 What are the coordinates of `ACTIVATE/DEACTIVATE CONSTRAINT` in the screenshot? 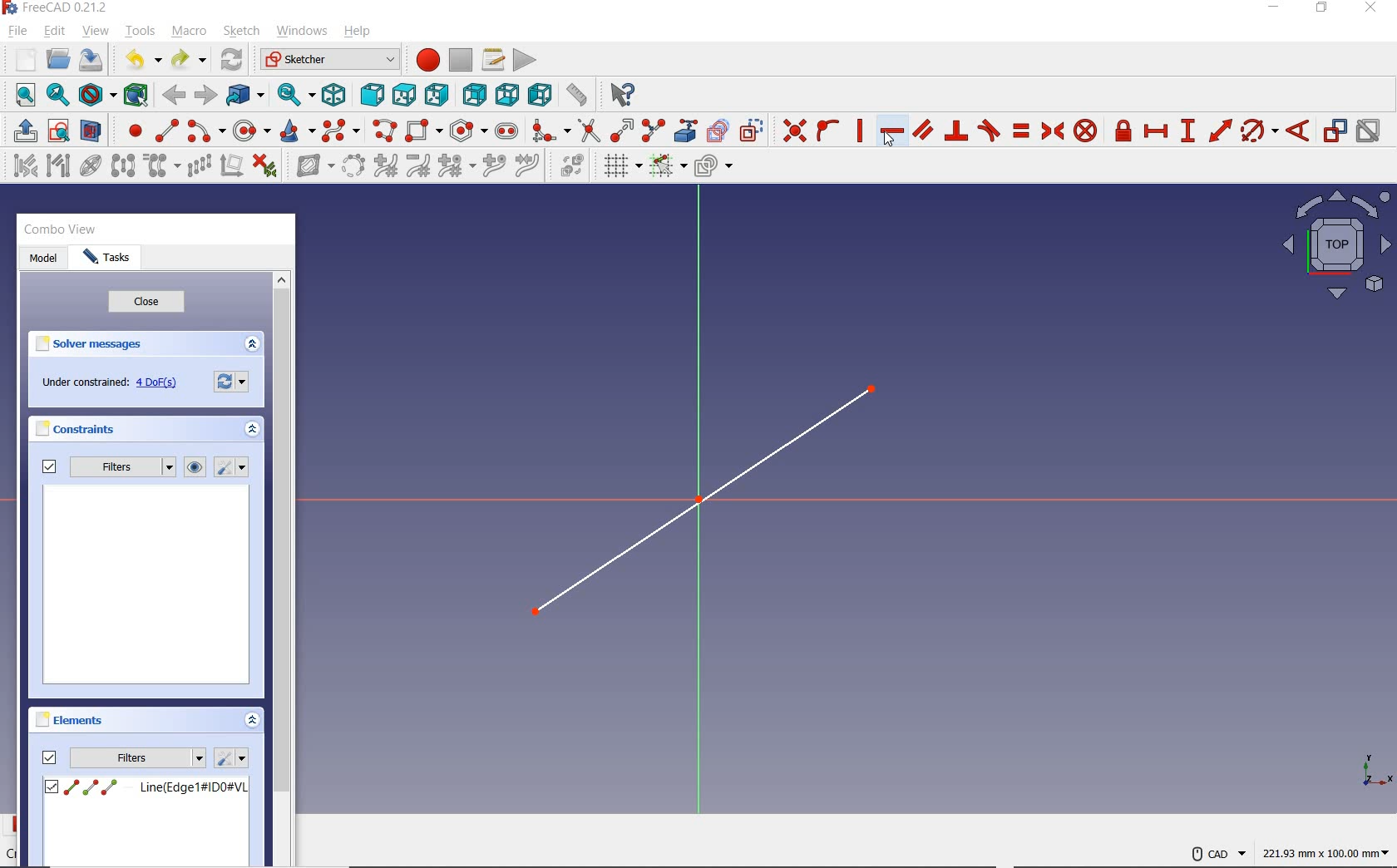 It's located at (1368, 132).